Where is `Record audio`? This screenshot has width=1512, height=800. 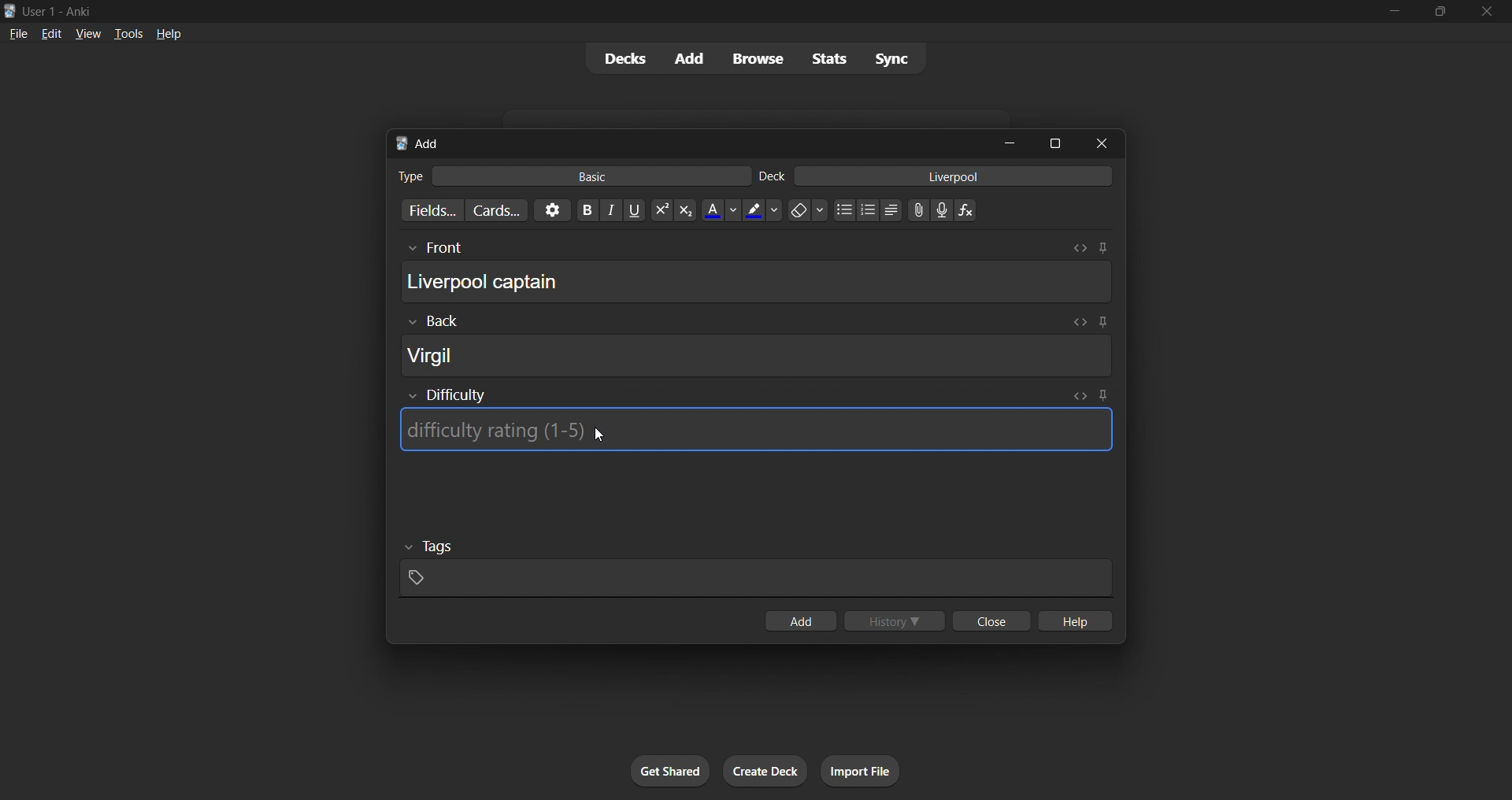
Record audio is located at coordinates (942, 210).